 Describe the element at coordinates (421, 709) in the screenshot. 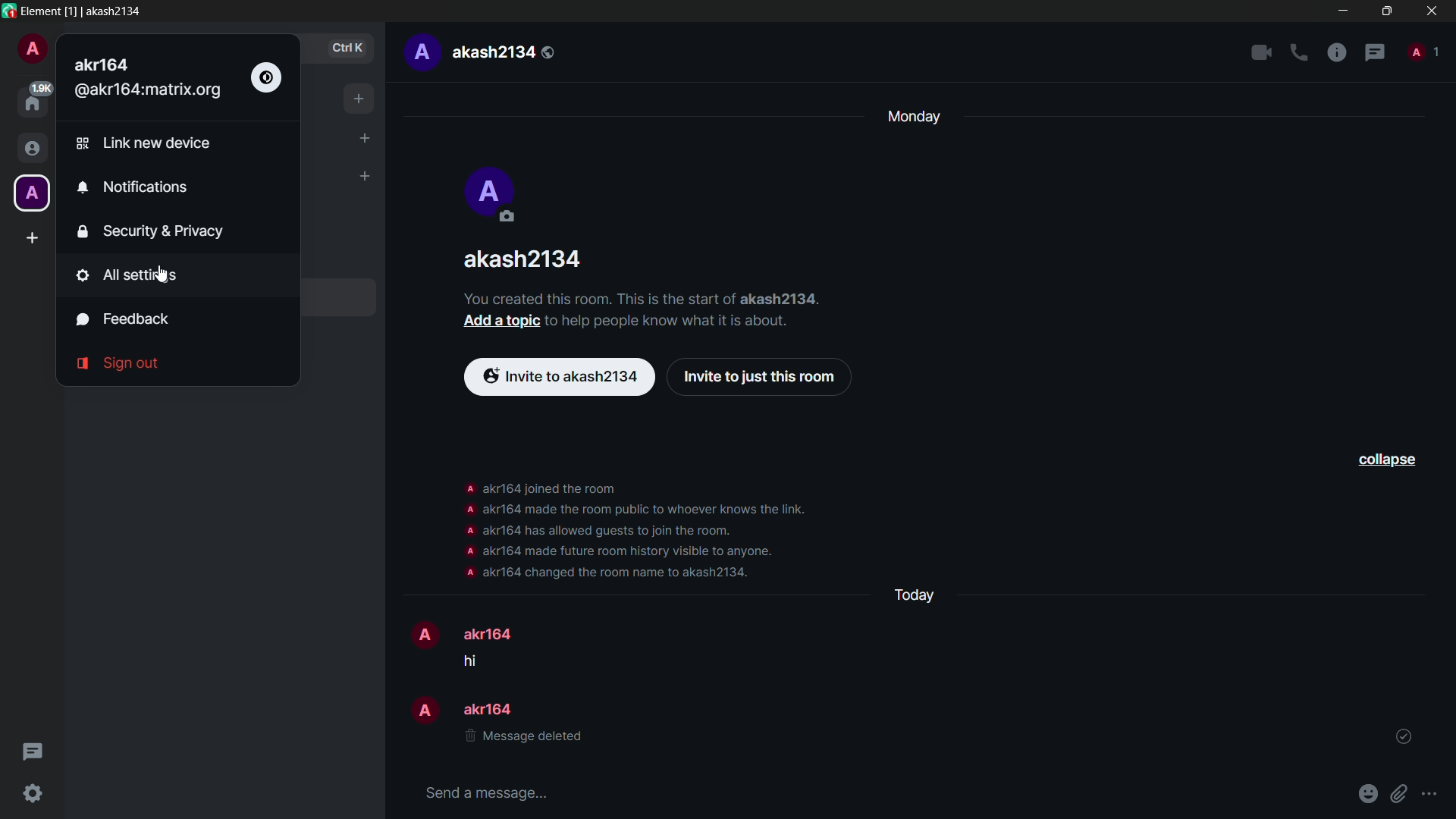

I see `profile` at that location.